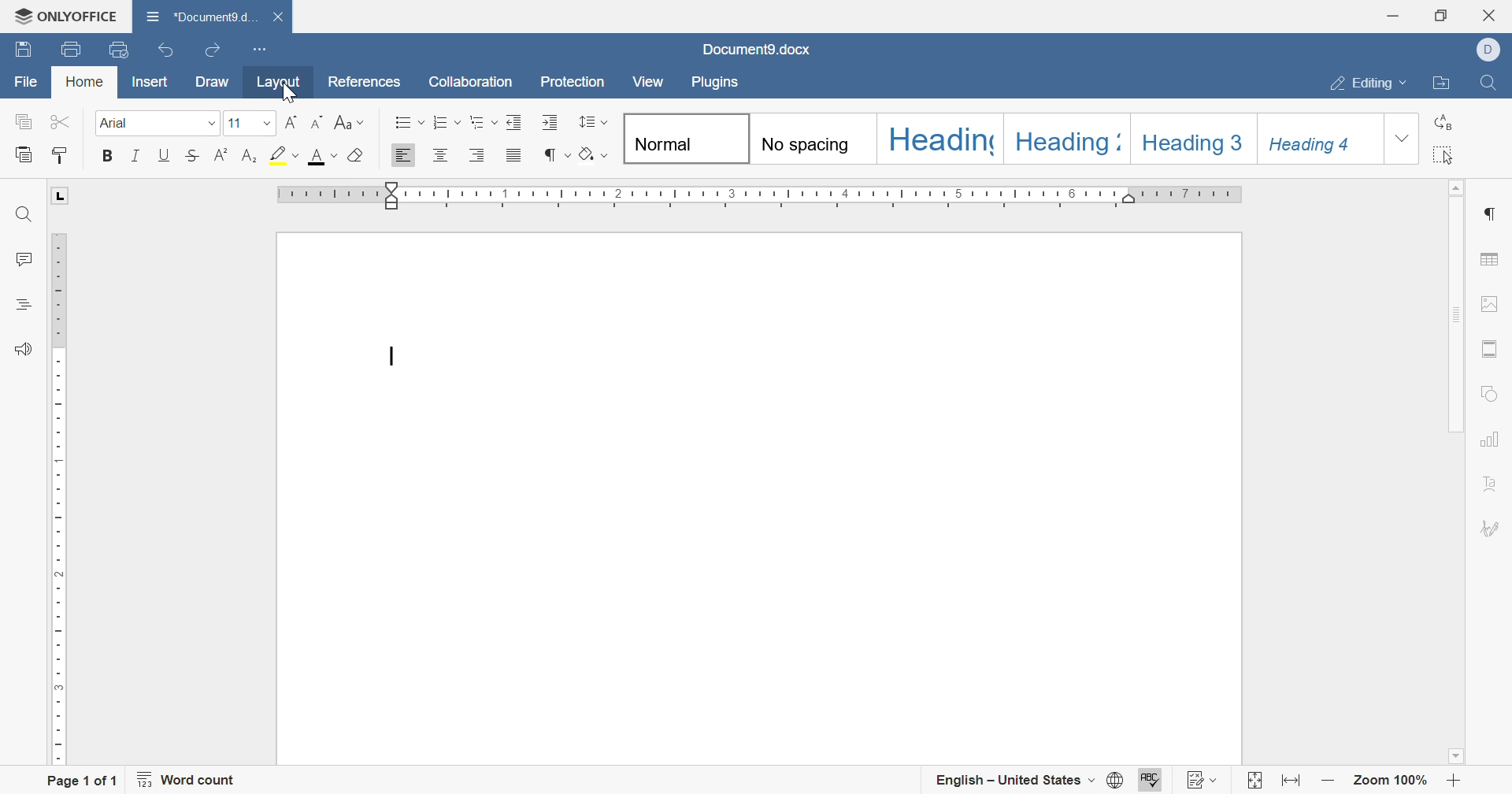 The width and height of the screenshot is (1512, 794). What do you see at coordinates (1490, 303) in the screenshot?
I see `image settings` at bounding box center [1490, 303].